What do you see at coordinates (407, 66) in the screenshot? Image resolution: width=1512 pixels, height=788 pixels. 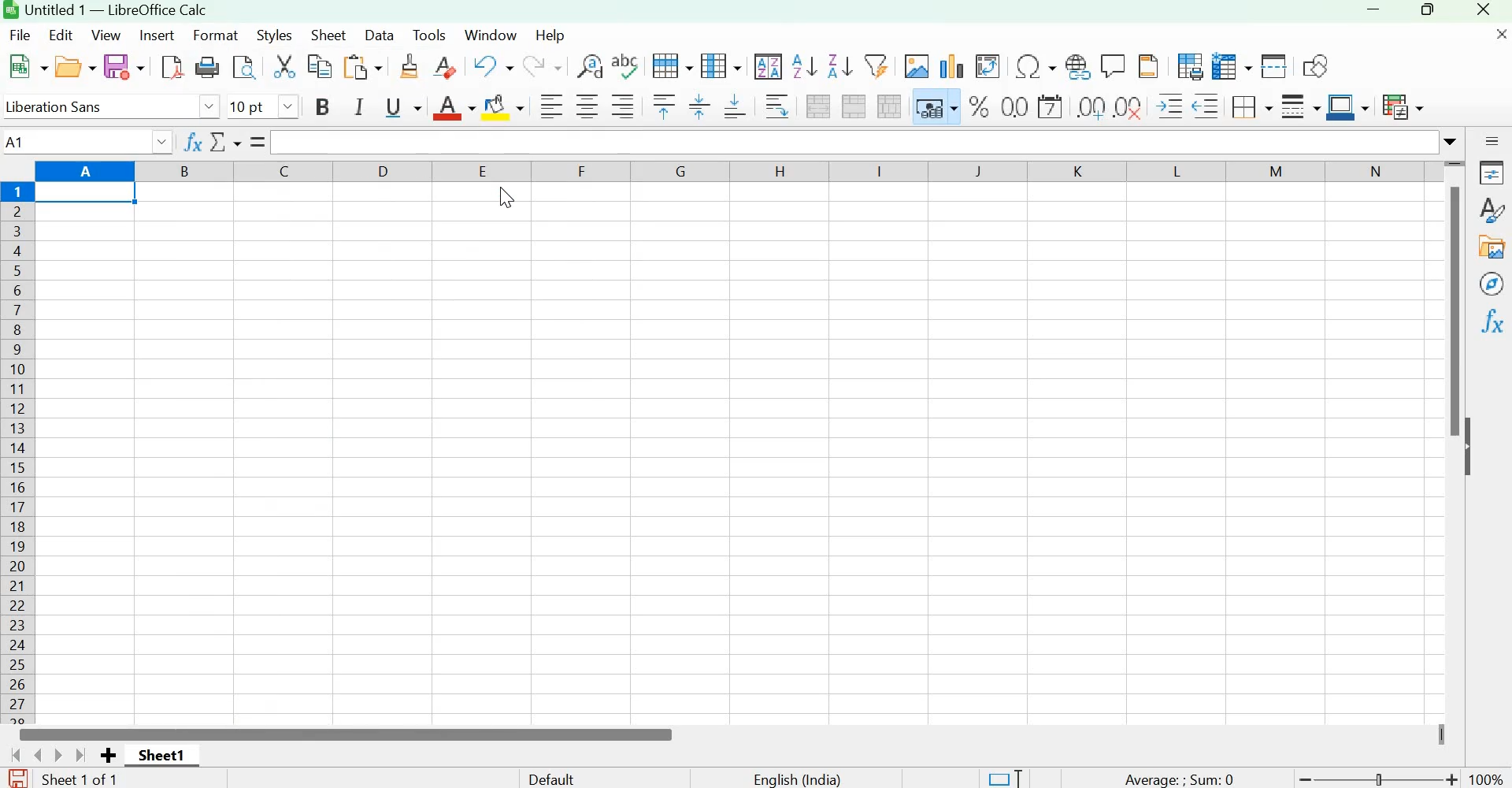 I see `Clone formatting` at bounding box center [407, 66].